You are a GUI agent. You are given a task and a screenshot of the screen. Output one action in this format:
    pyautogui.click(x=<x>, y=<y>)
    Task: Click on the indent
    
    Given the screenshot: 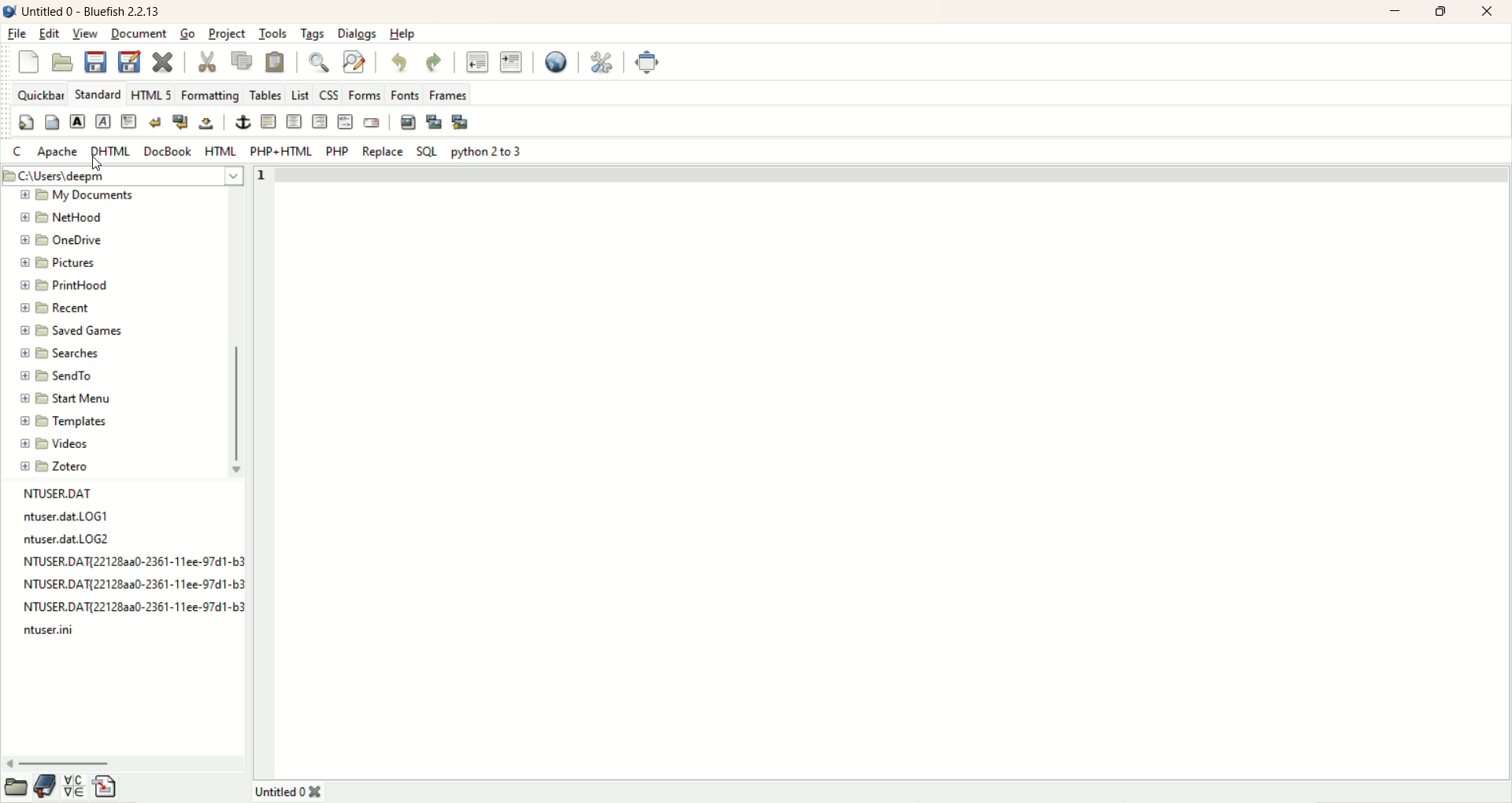 What is the action you would take?
    pyautogui.click(x=511, y=64)
    